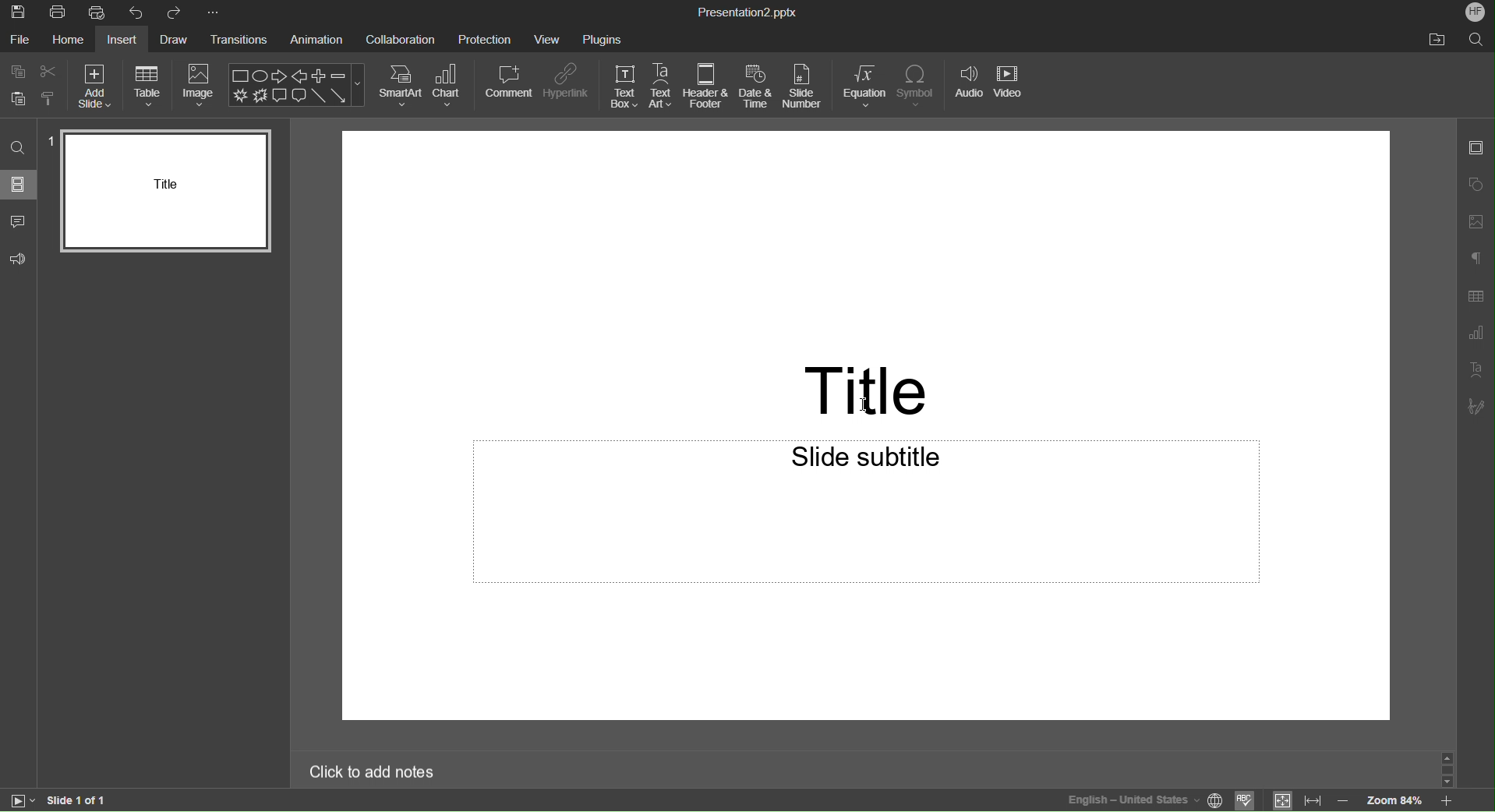 The width and height of the screenshot is (1495, 812). What do you see at coordinates (1129, 800) in the screenshot?
I see `Language` at bounding box center [1129, 800].